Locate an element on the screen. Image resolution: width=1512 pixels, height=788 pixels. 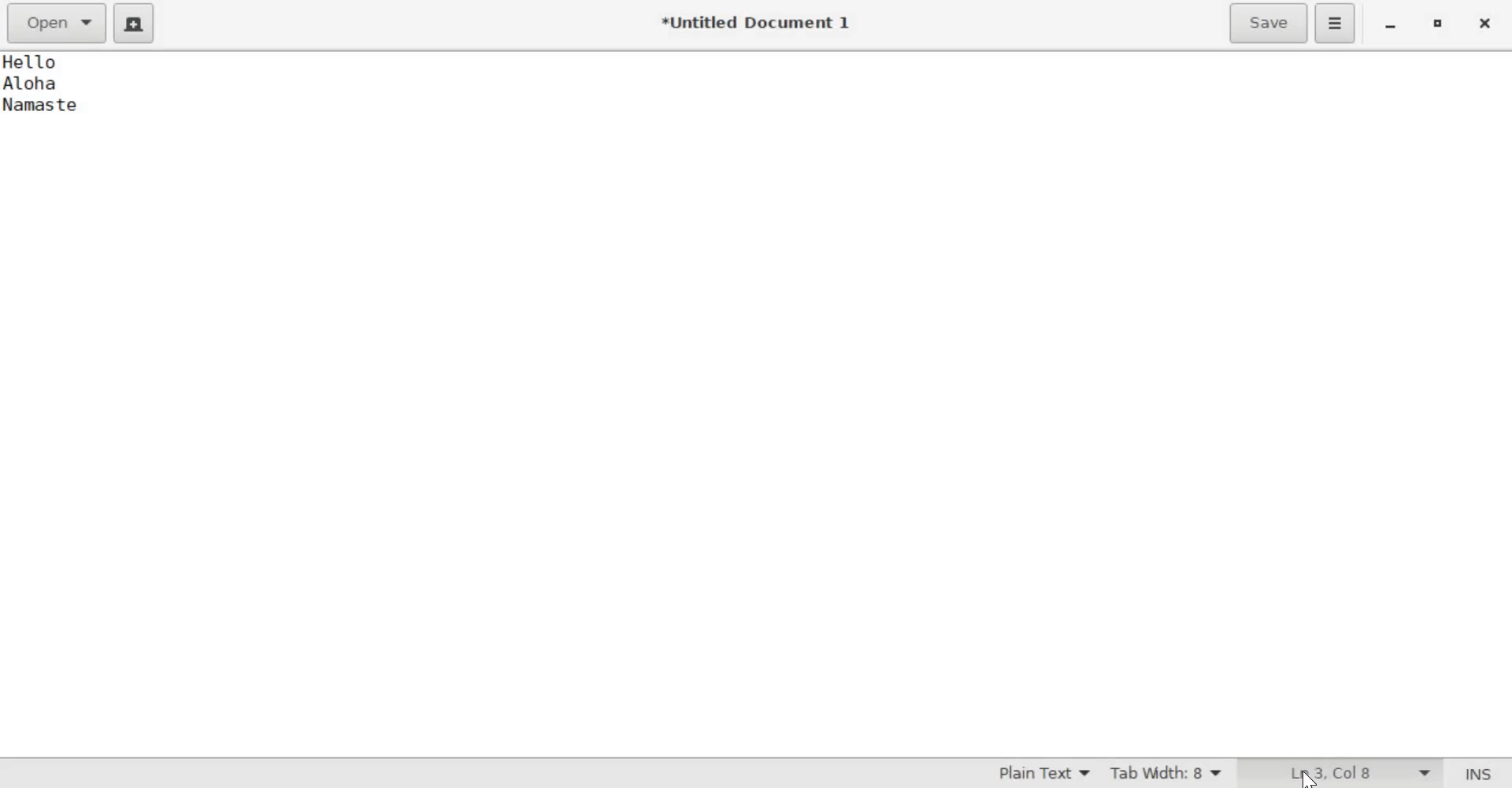
close is located at coordinates (1487, 23).